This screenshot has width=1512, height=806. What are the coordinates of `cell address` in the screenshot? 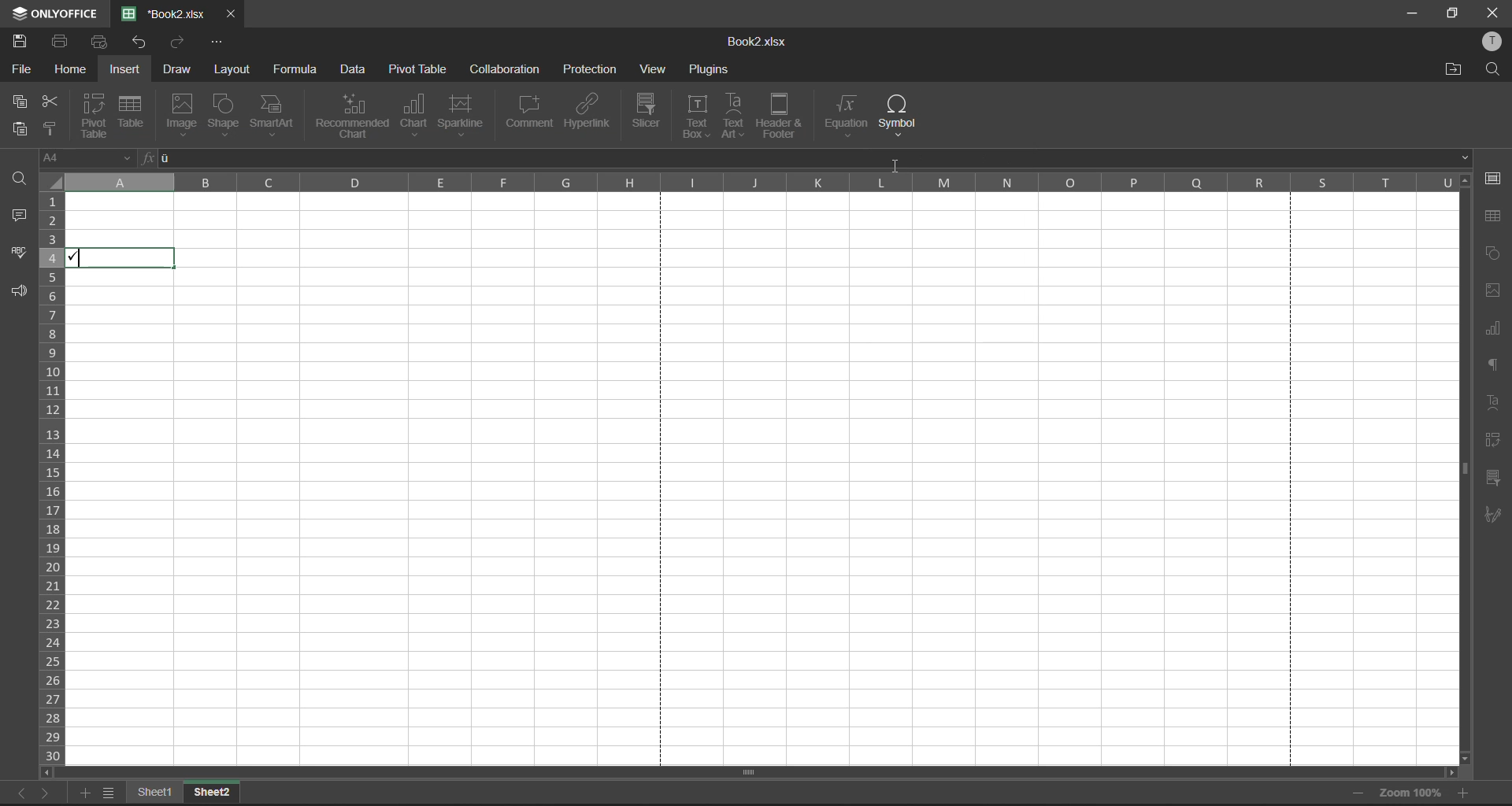 It's located at (85, 157).